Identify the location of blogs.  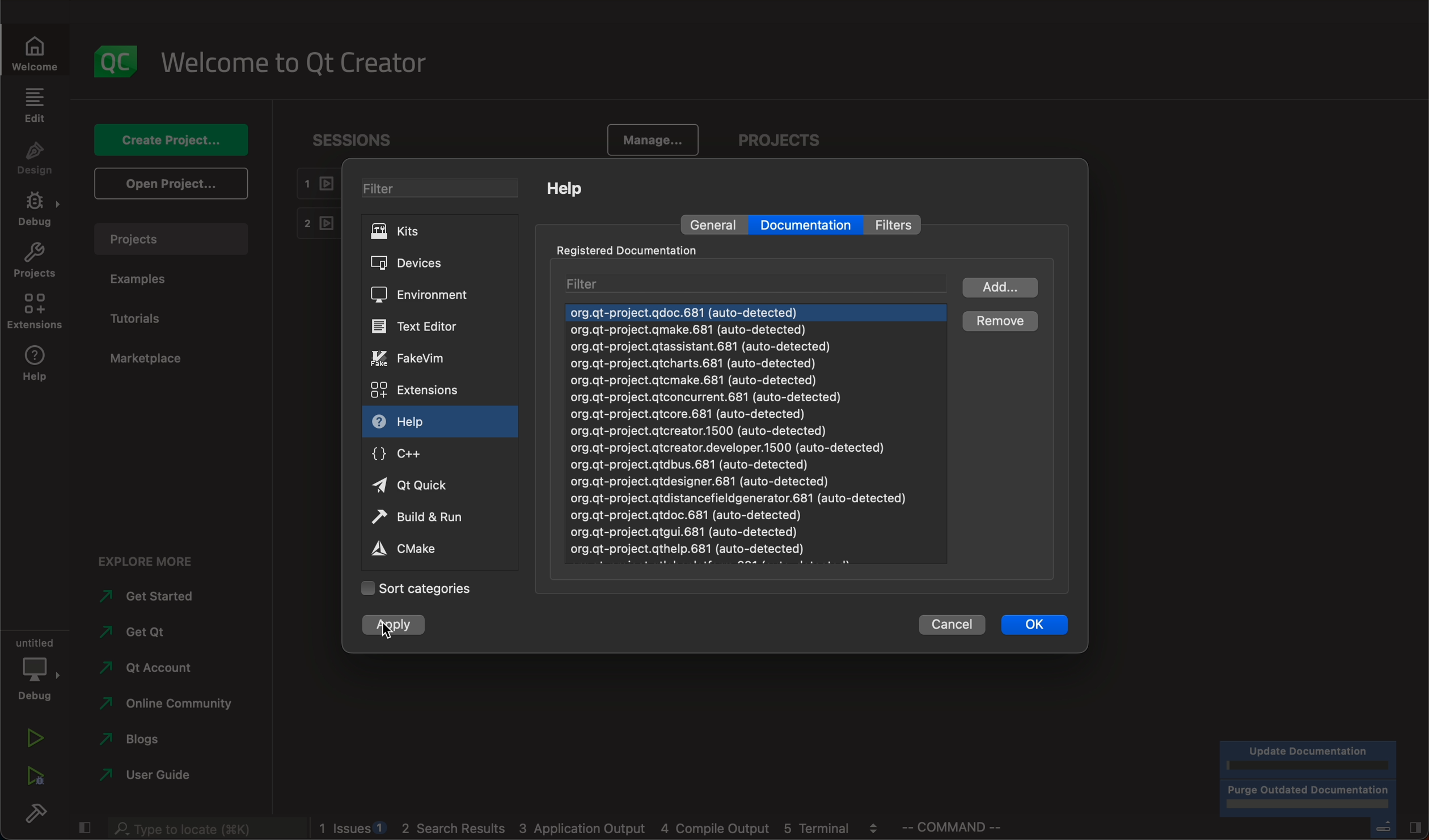
(147, 742).